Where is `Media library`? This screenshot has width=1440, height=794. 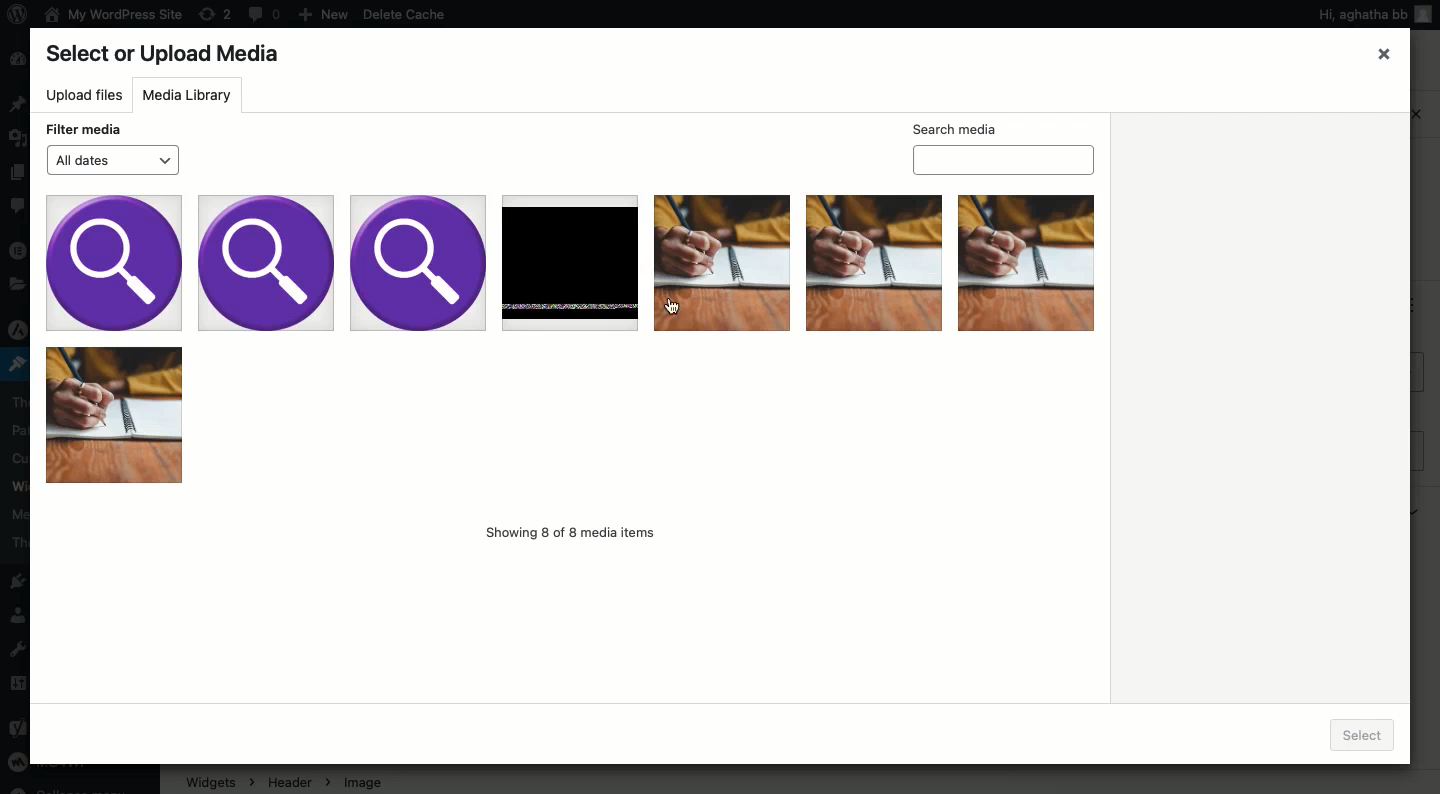
Media library is located at coordinates (190, 94).